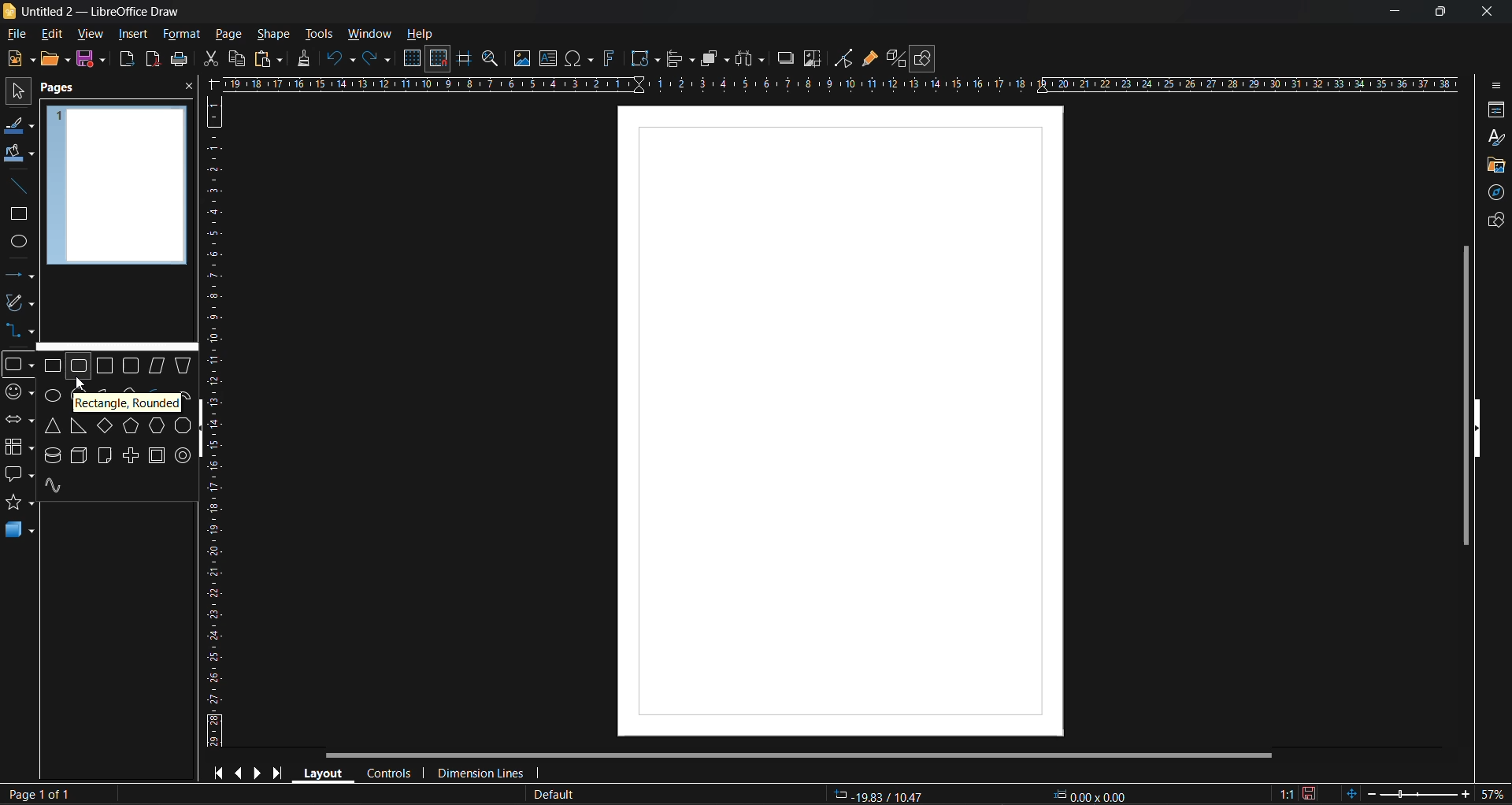 The height and width of the screenshot is (805, 1512). What do you see at coordinates (1495, 168) in the screenshot?
I see `gallery` at bounding box center [1495, 168].